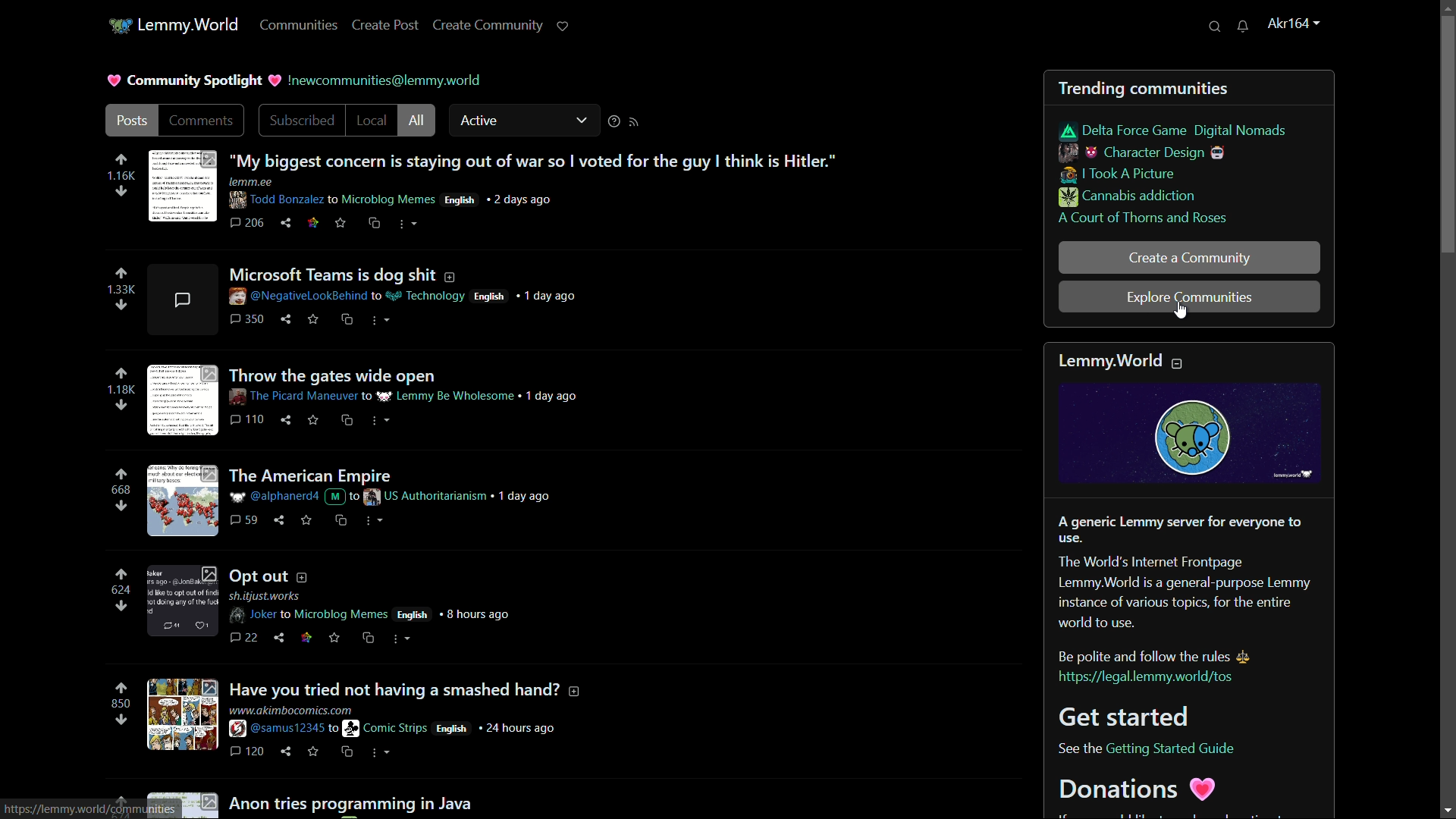 The height and width of the screenshot is (819, 1456). I want to click on post-2, so click(403, 273).